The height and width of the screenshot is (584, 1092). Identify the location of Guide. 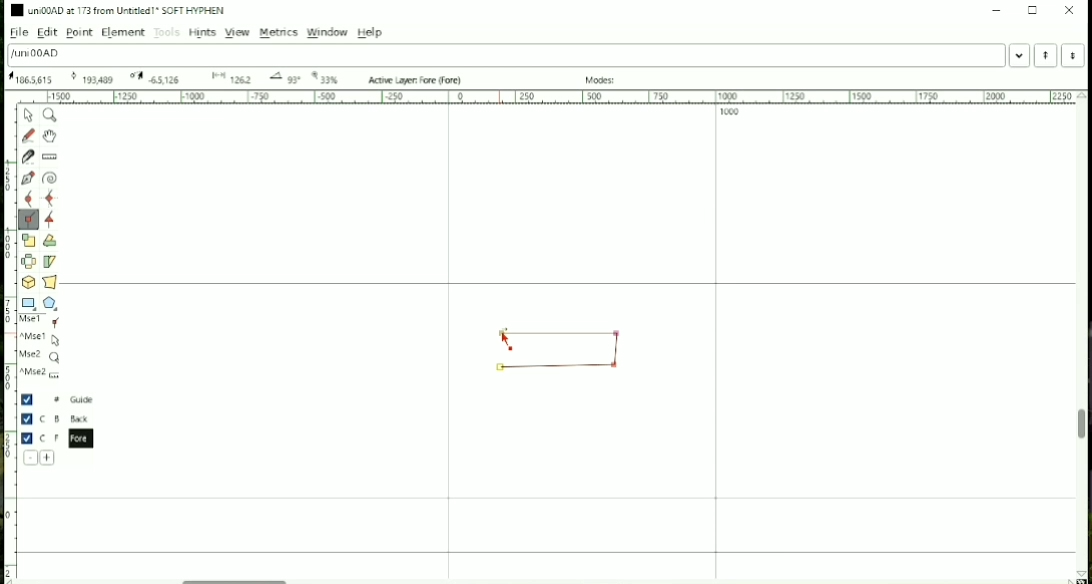
(59, 400).